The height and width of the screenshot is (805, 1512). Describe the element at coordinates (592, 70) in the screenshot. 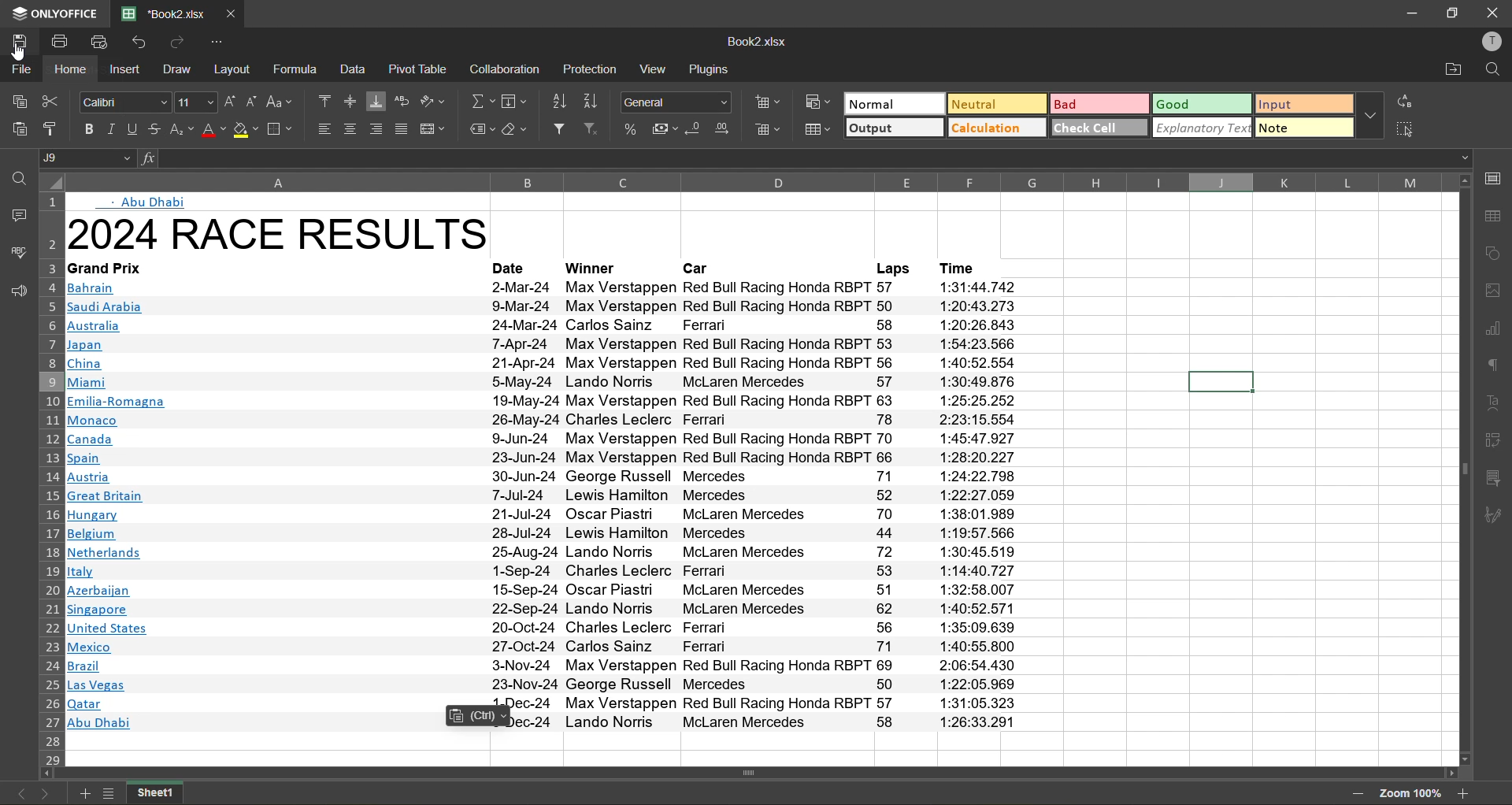

I see `protection` at that location.